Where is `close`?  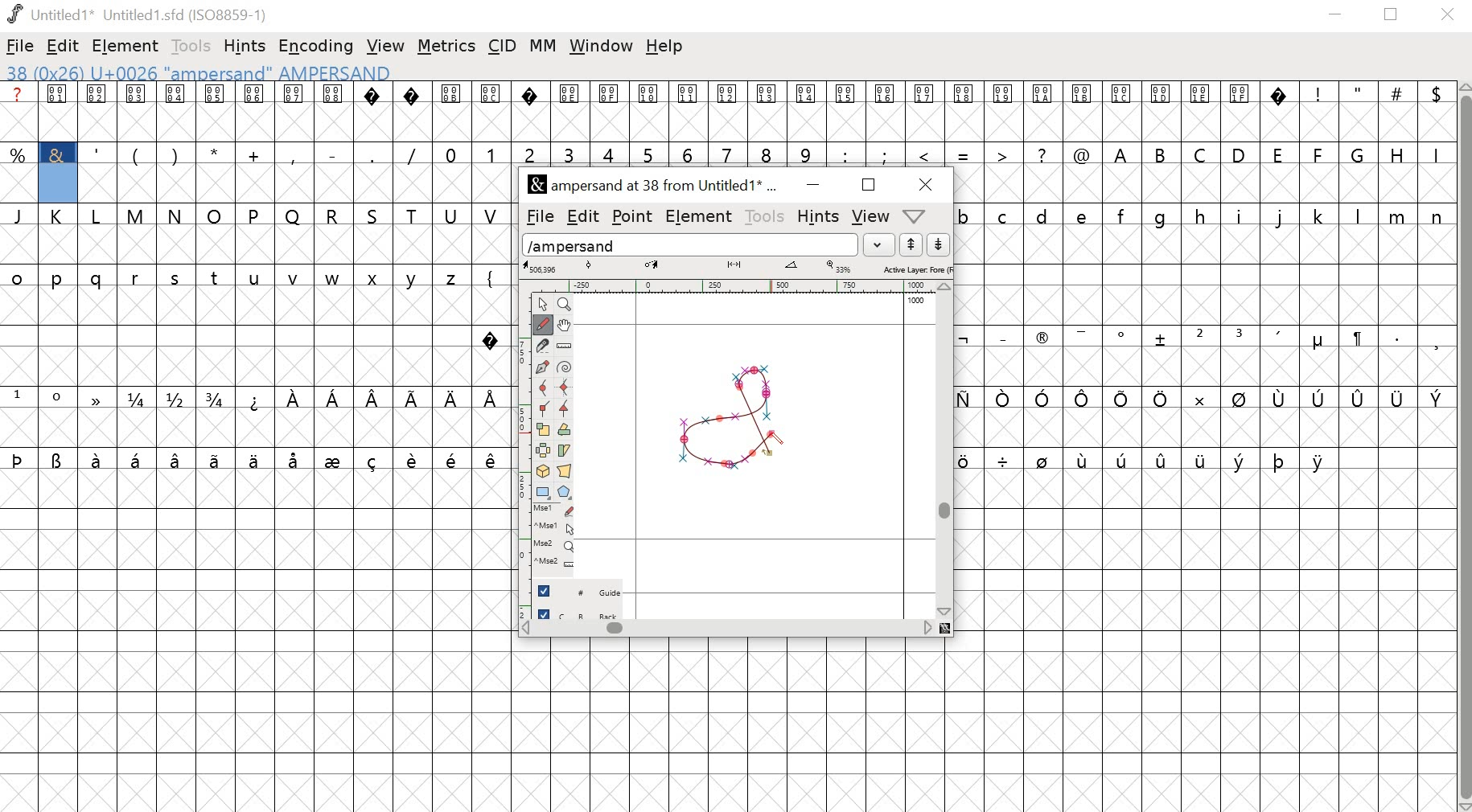
close is located at coordinates (922, 184).